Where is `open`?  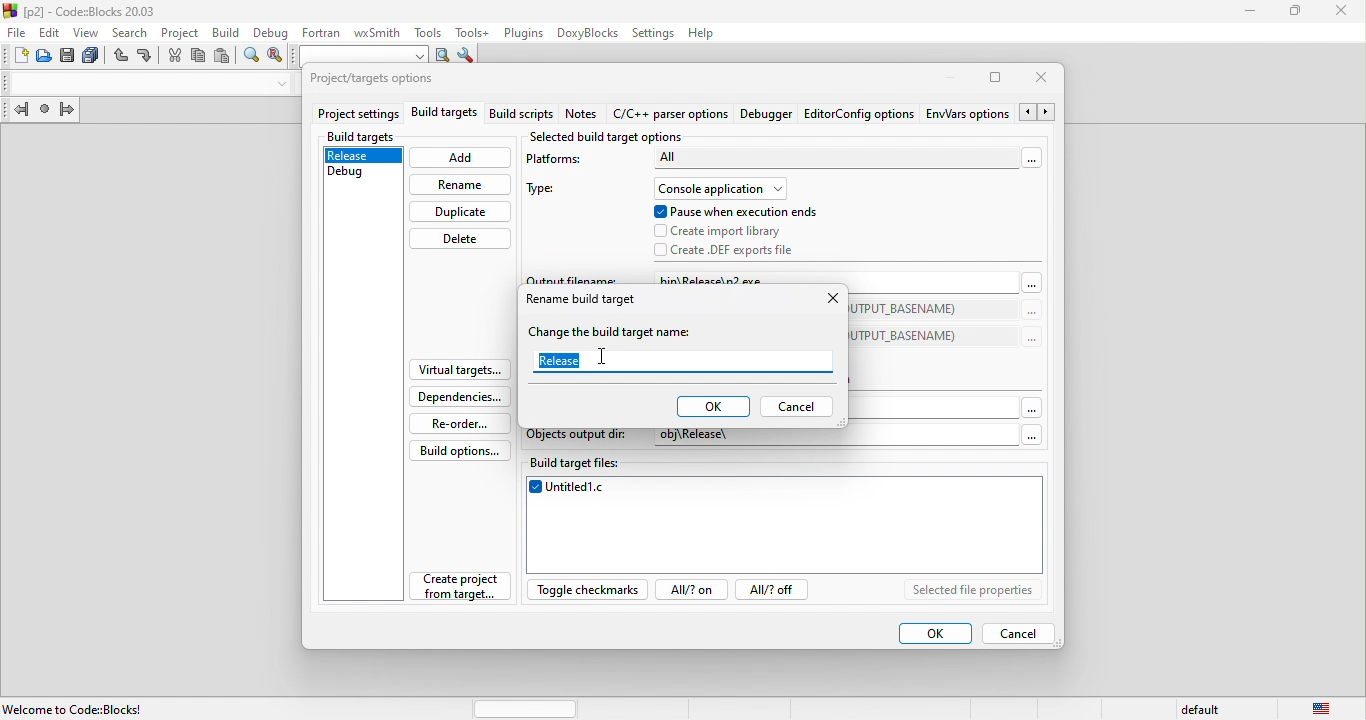
open is located at coordinates (46, 57).